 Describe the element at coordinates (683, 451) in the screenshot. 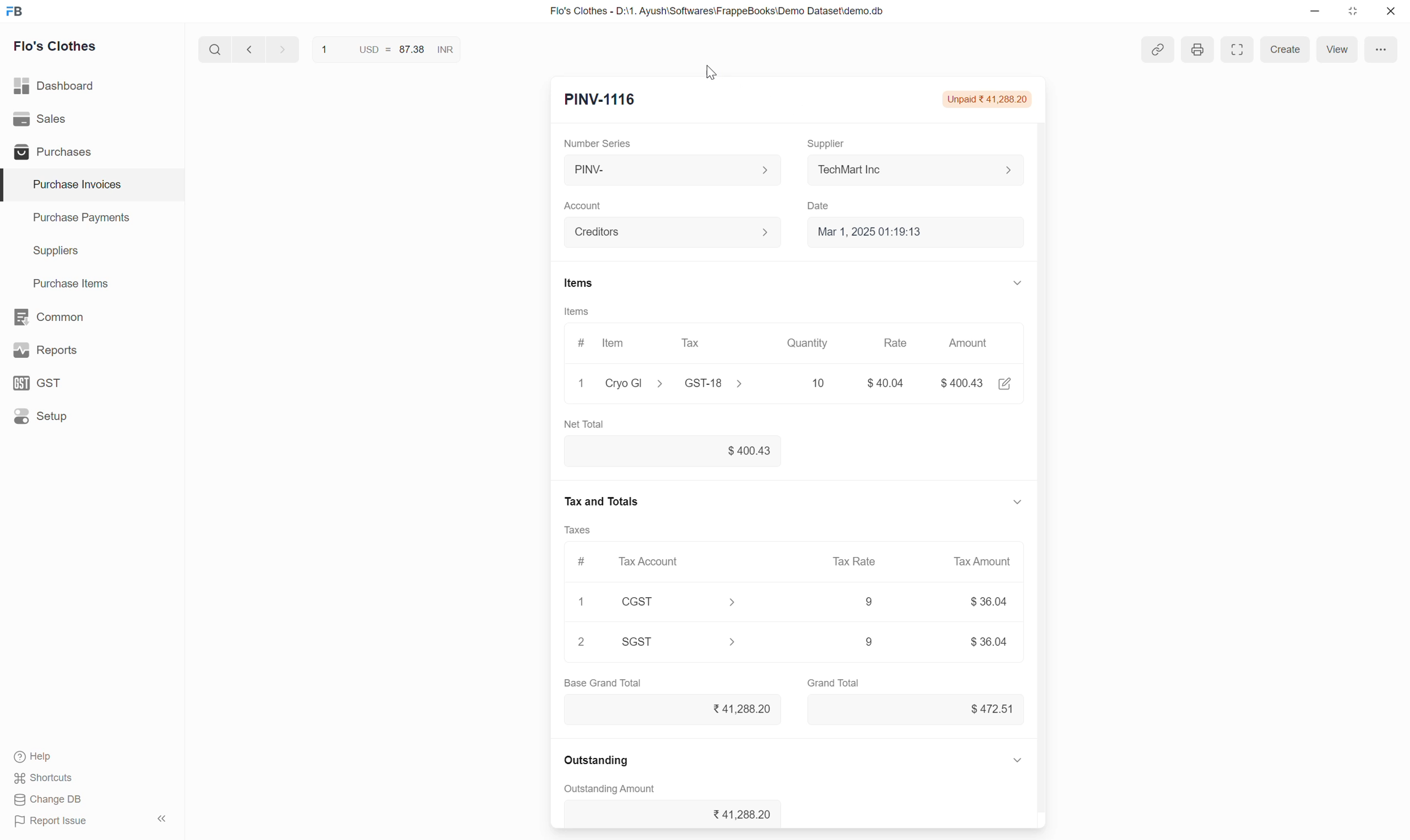

I see `$400.43` at that location.